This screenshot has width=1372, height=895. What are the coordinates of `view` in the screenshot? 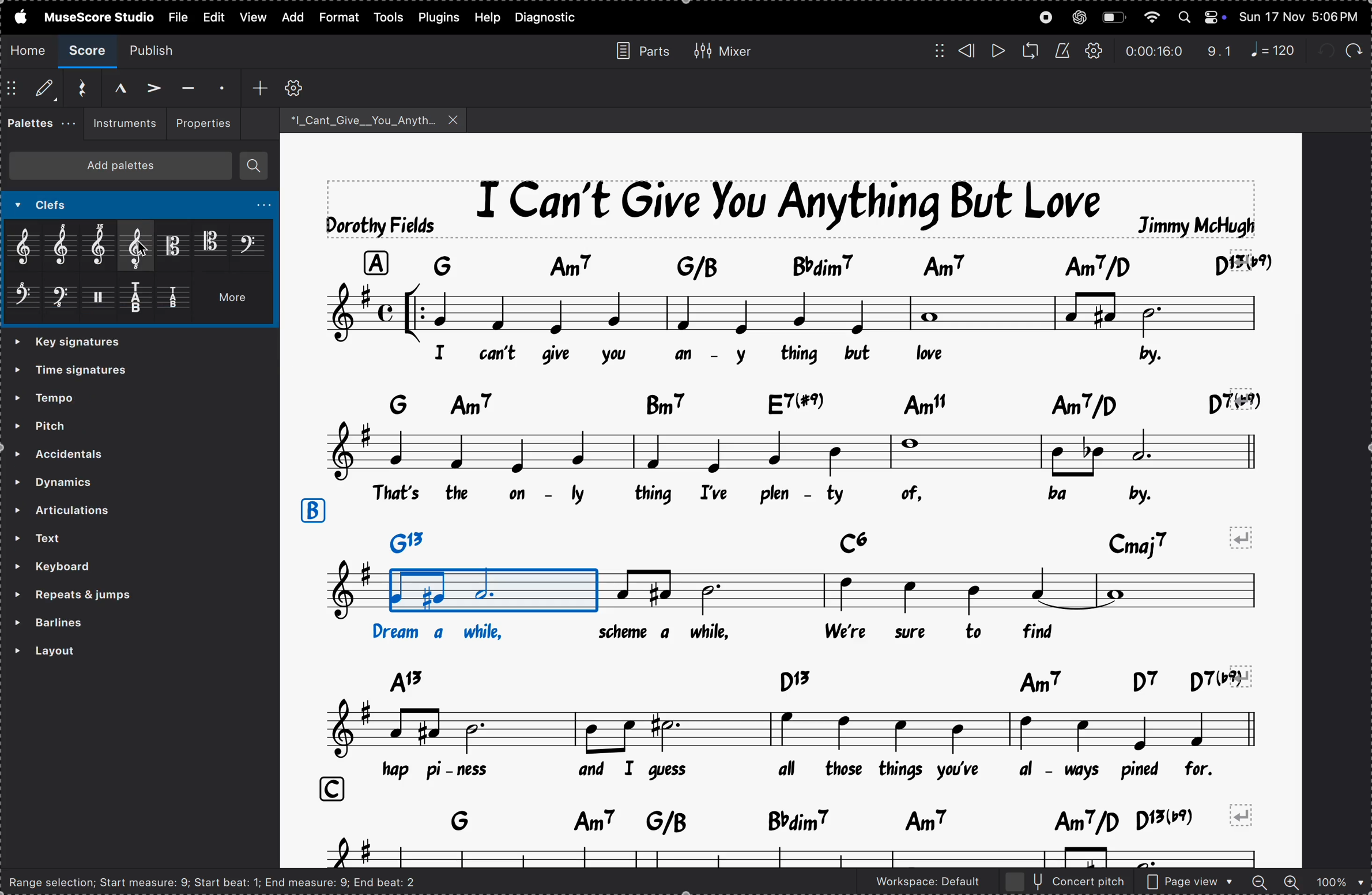 It's located at (251, 17).